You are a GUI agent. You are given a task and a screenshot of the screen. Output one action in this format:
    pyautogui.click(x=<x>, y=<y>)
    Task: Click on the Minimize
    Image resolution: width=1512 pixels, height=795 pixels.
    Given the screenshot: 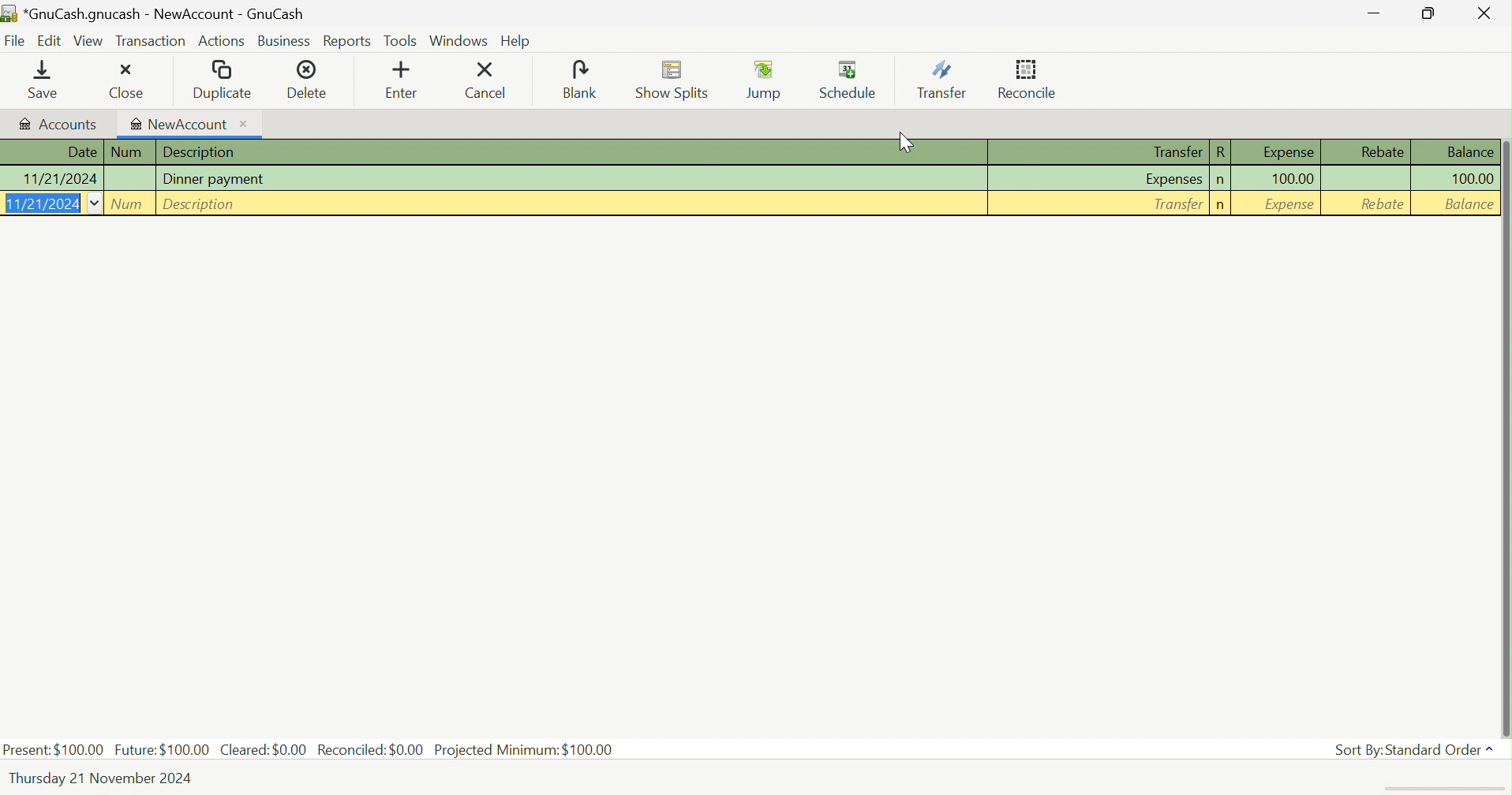 What is the action you would take?
    pyautogui.click(x=1375, y=15)
    